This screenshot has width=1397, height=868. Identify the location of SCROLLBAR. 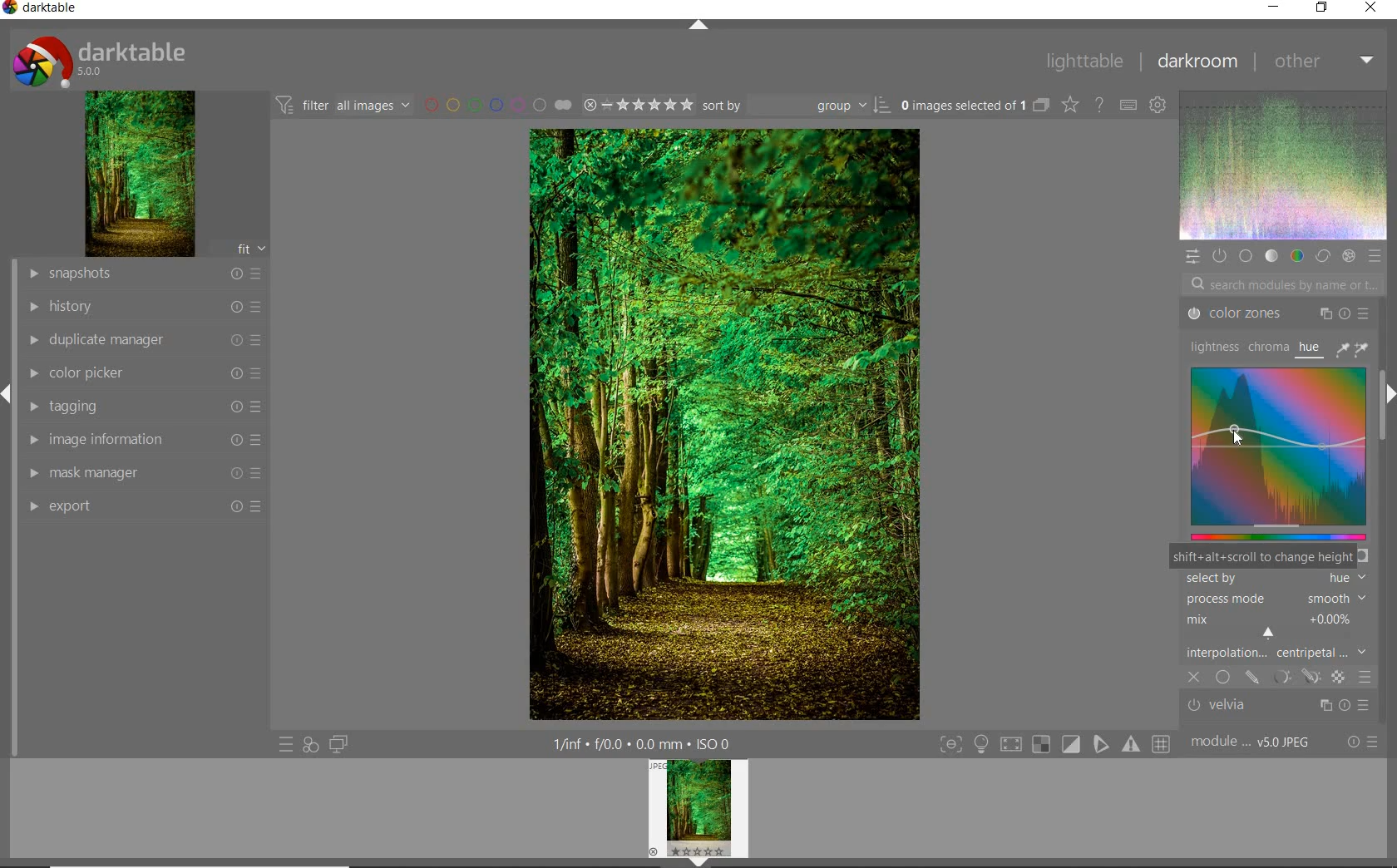
(1386, 427).